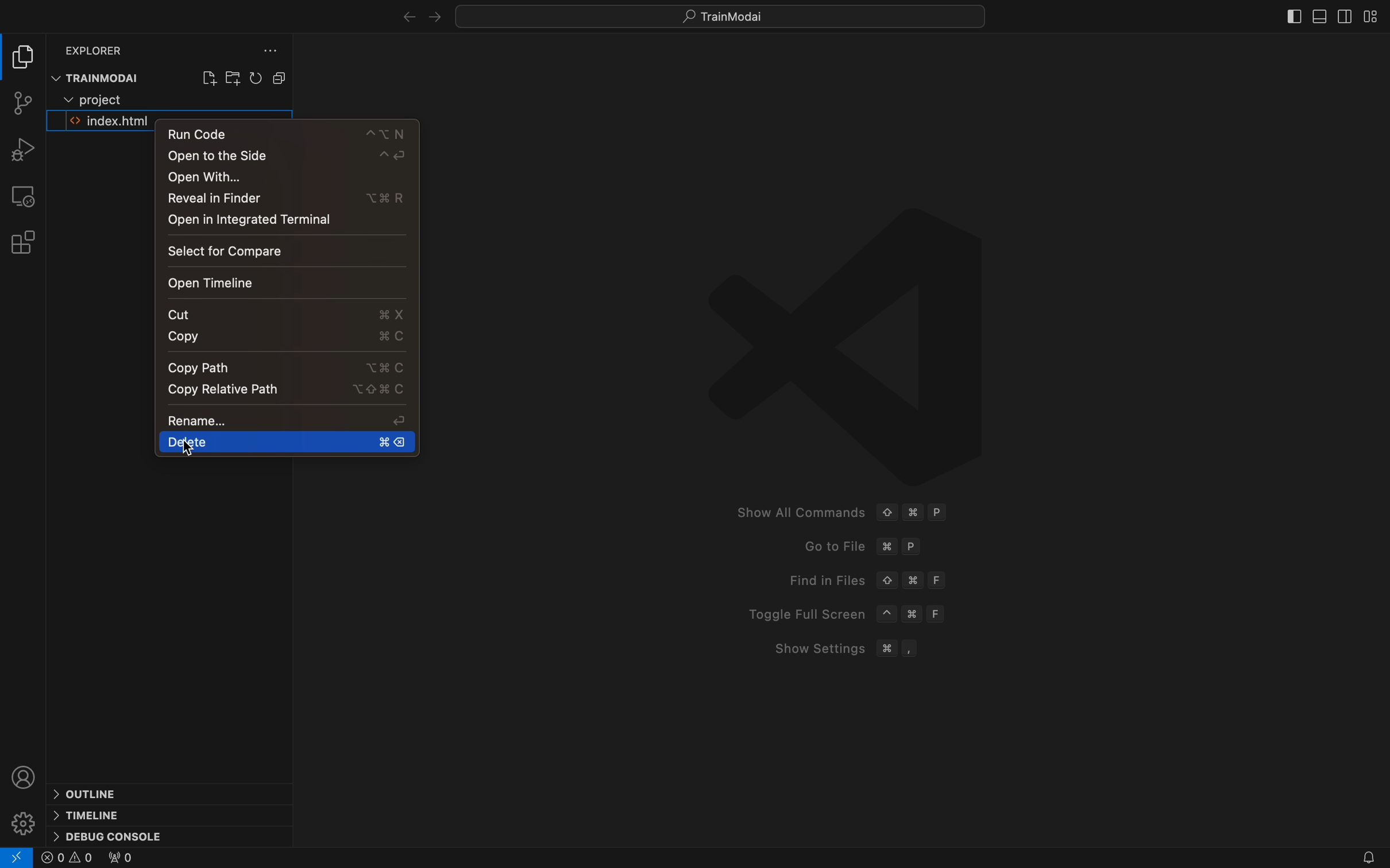 Image resolution: width=1390 pixels, height=868 pixels. Describe the element at coordinates (1293, 18) in the screenshot. I see `closebar` at that location.